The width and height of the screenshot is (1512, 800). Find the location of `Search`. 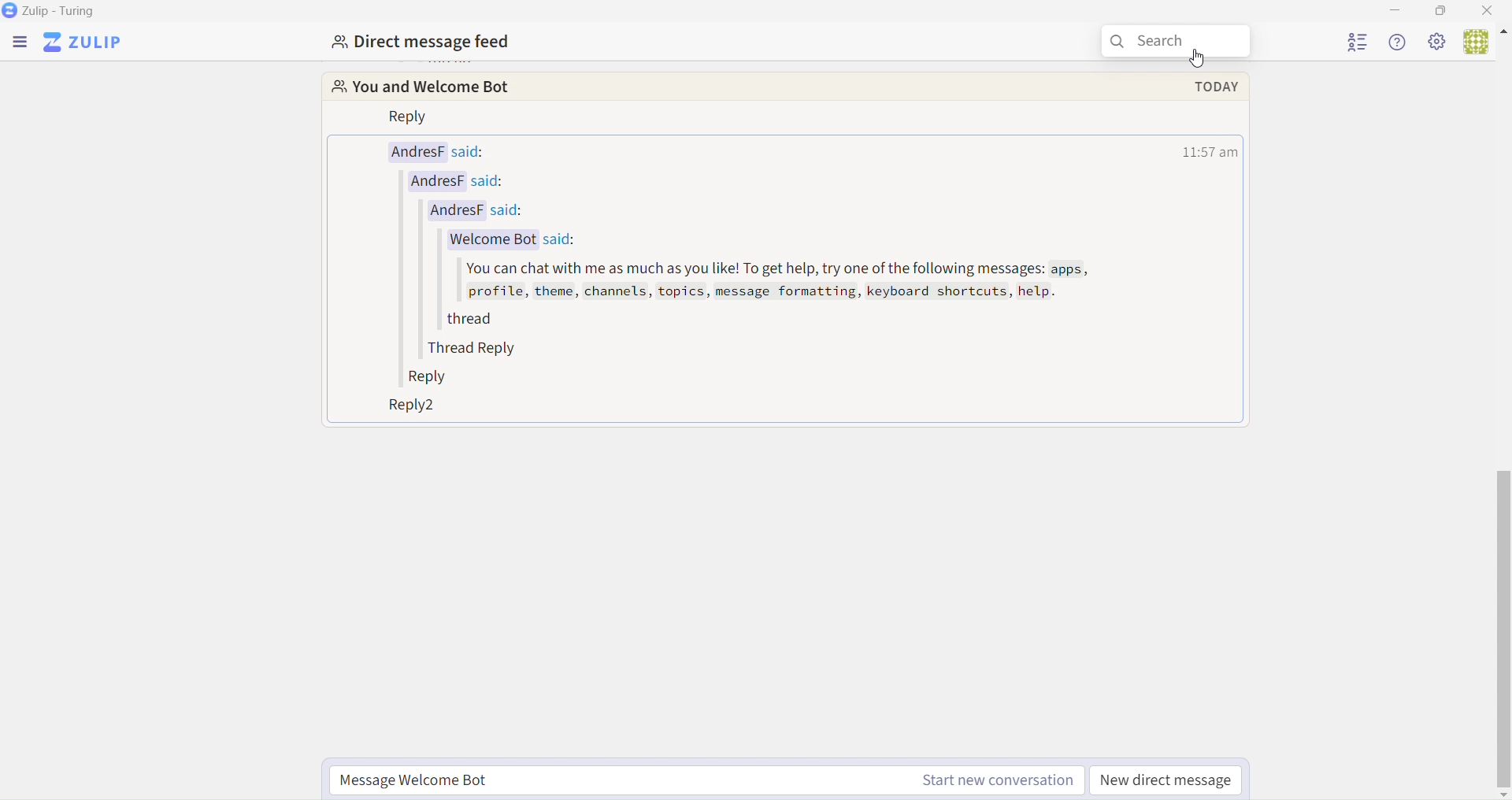

Search is located at coordinates (1181, 43).